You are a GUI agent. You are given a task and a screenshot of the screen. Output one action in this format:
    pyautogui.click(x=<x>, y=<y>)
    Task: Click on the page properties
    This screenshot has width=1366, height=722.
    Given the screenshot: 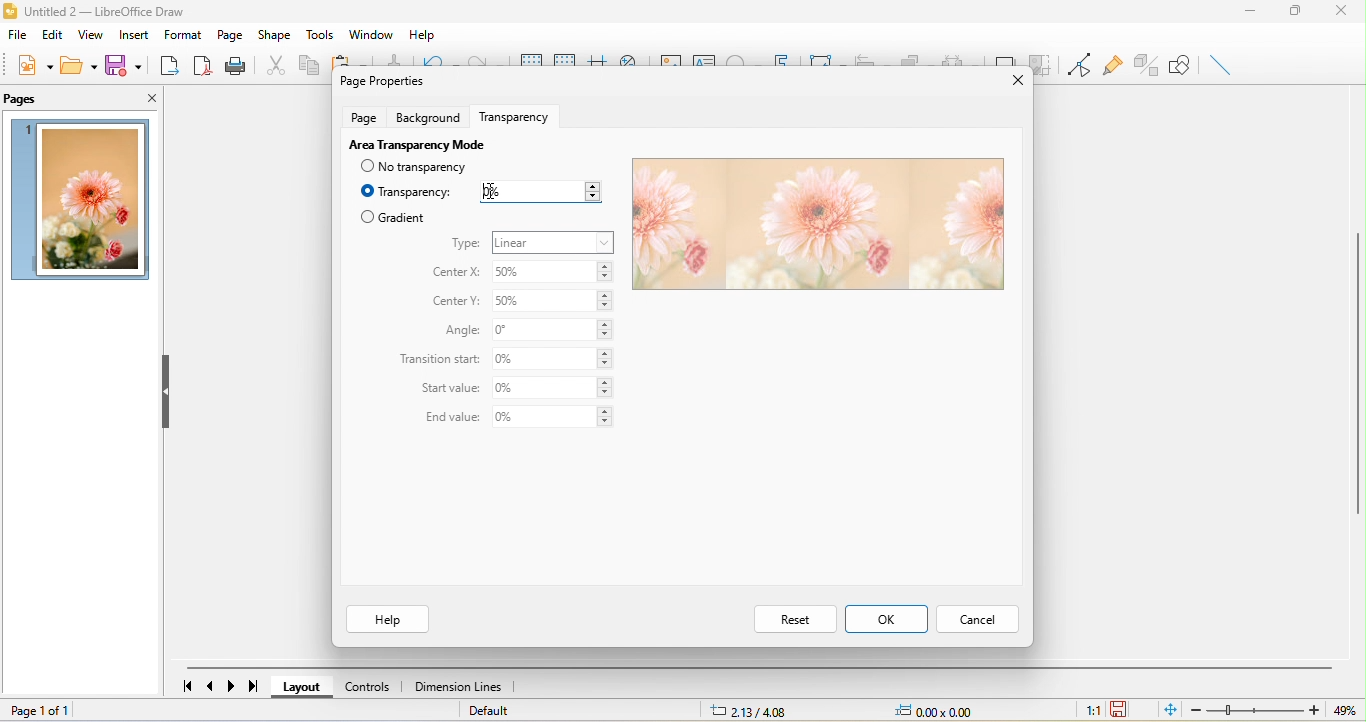 What is the action you would take?
    pyautogui.click(x=380, y=80)
    